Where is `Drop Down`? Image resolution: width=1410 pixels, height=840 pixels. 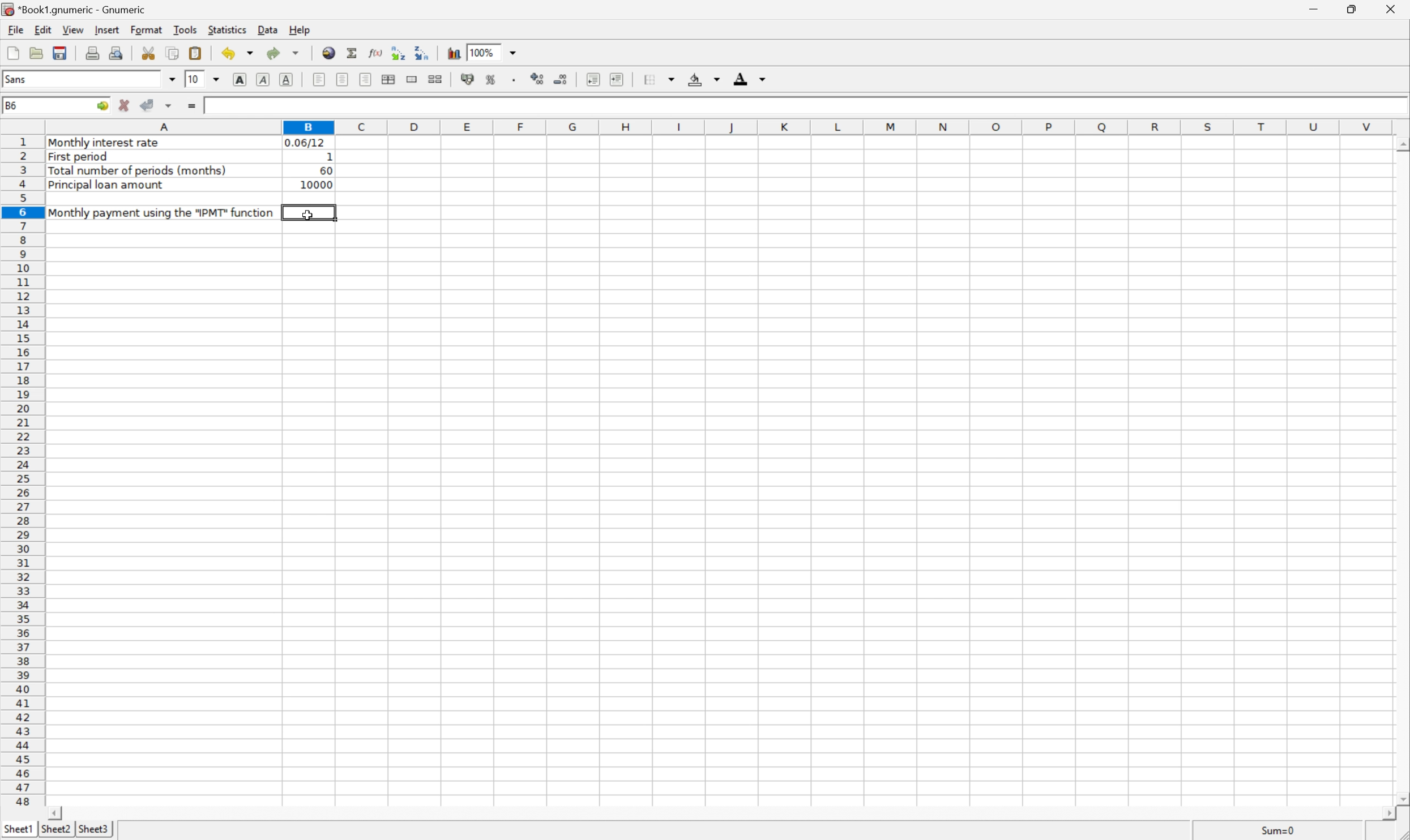
Drop Down is located at coordinates (515, 52).